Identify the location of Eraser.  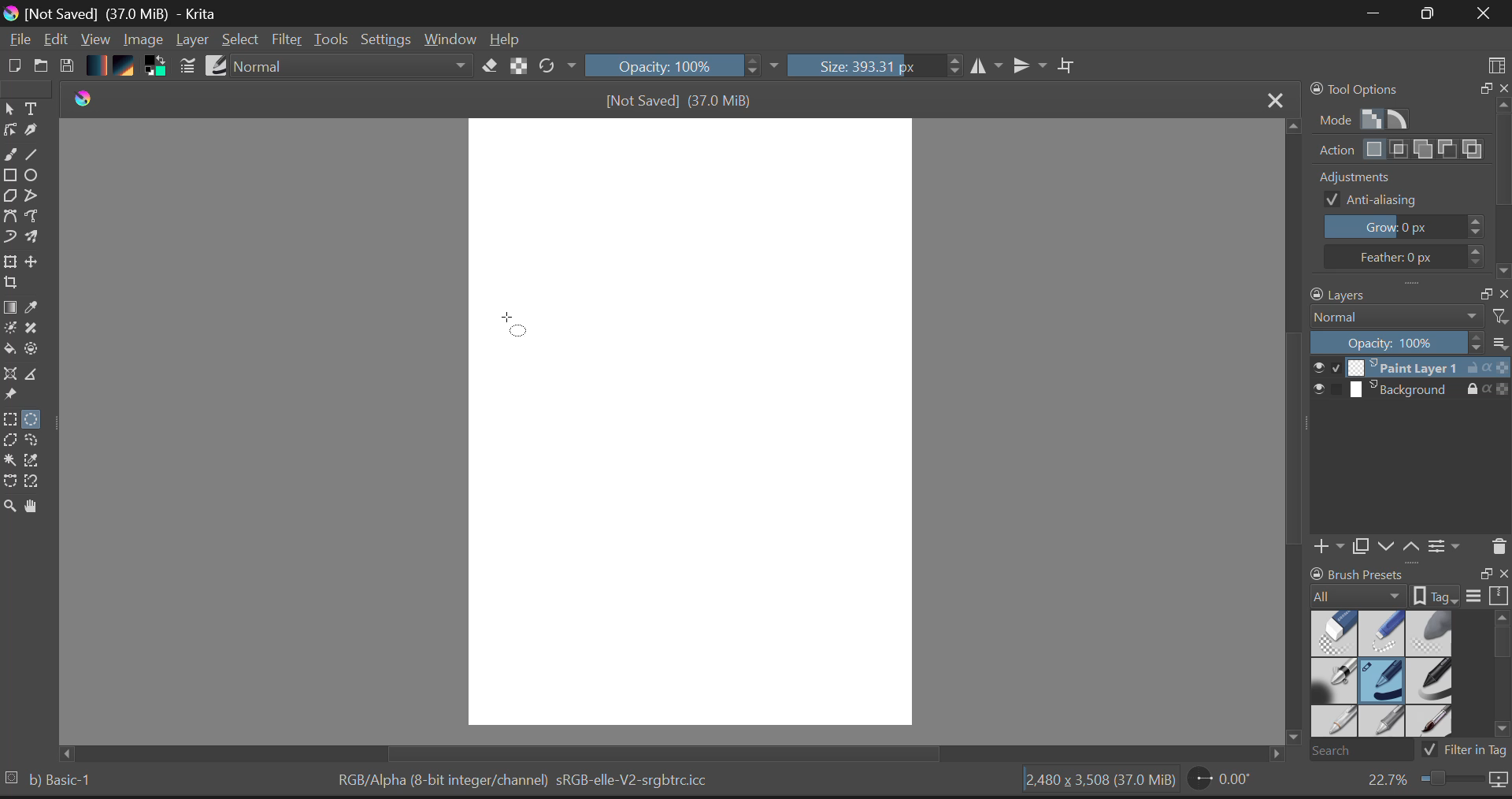
(487, 66).